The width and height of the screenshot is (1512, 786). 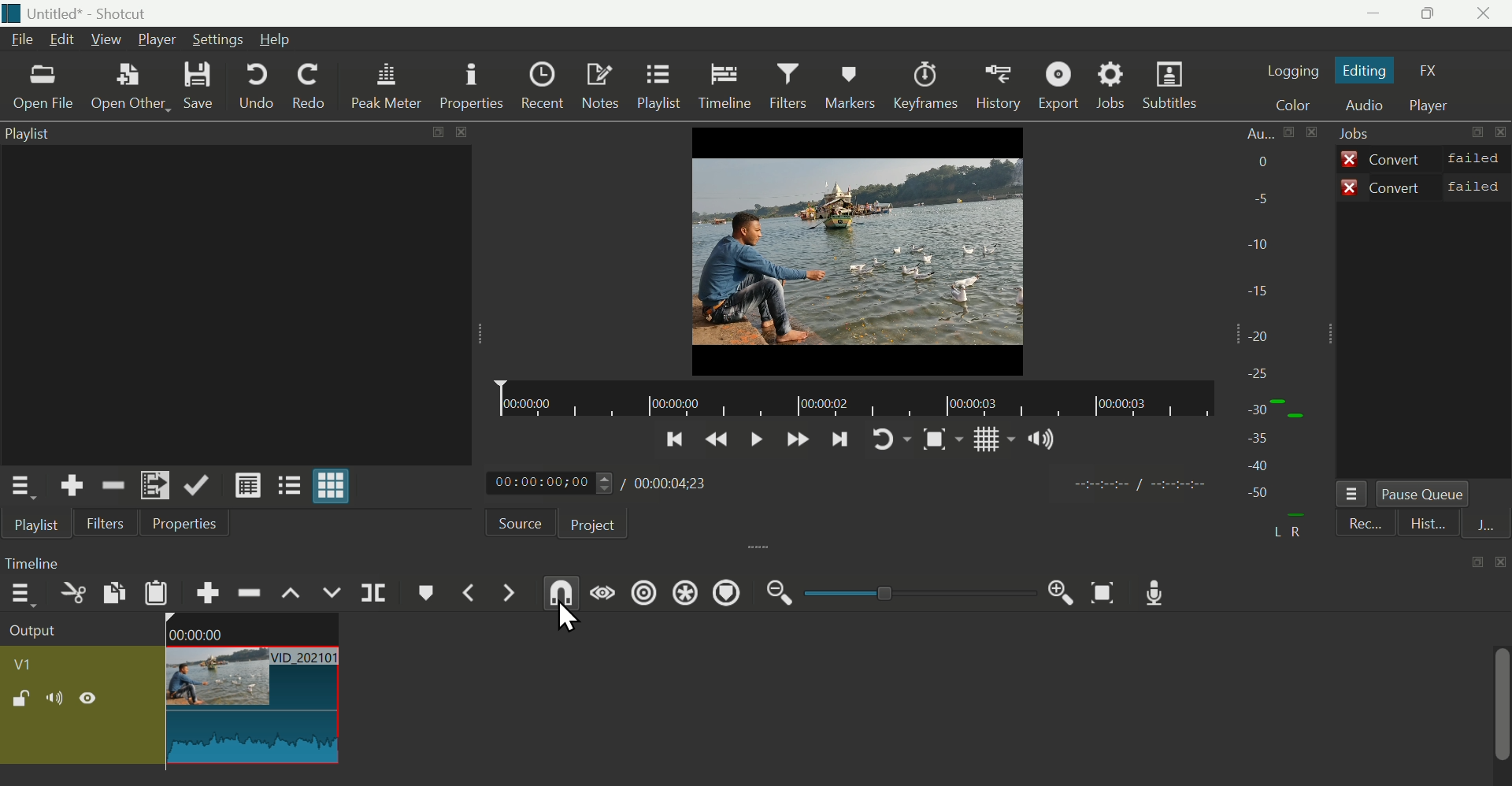 What do you see at coordinates (1292, 69) in the screenshot?
I see `Logging` at bounding box center [1292, 69].